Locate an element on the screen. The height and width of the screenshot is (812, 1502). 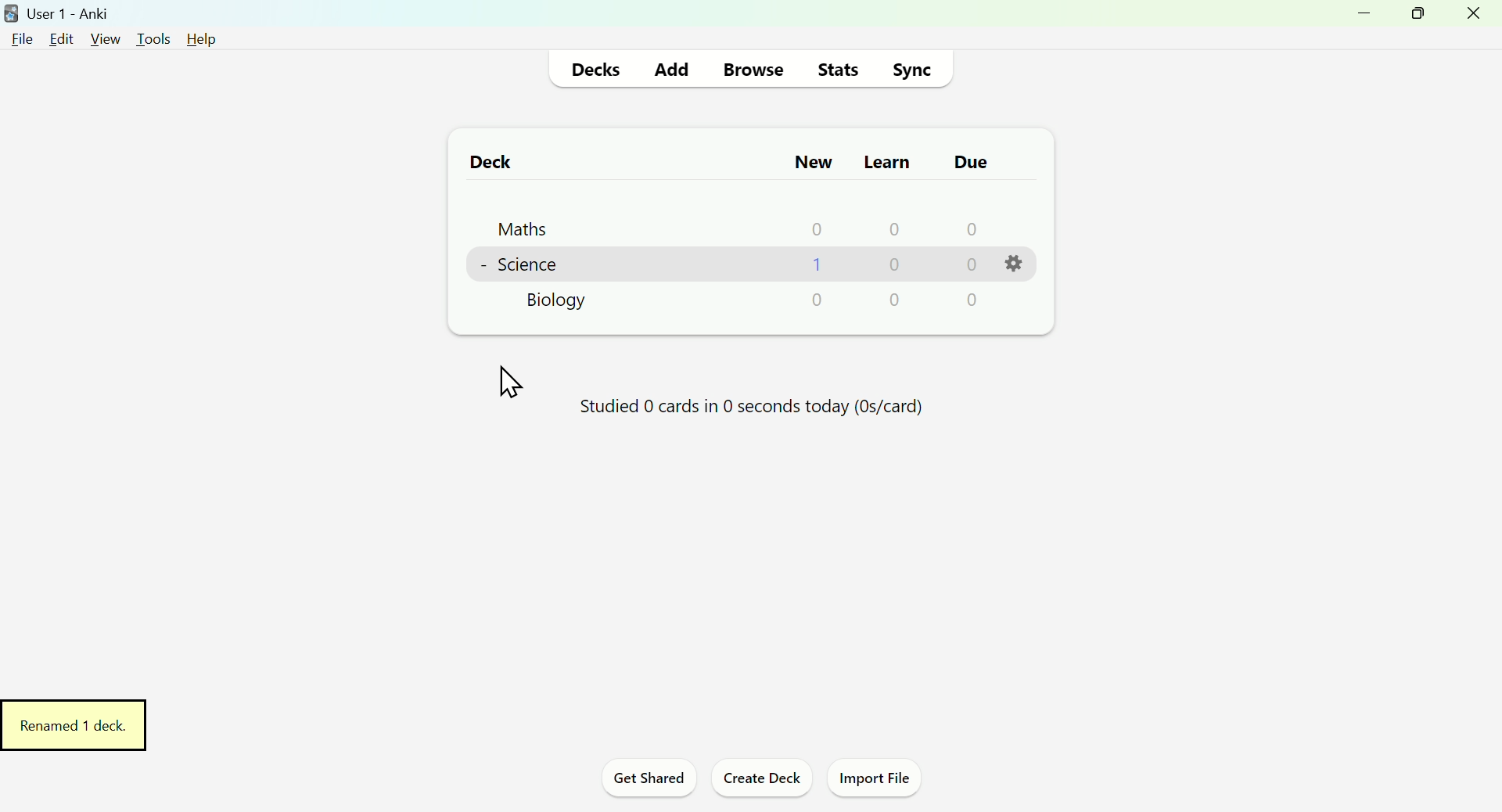
Tools is located at coordinates (148, 35).